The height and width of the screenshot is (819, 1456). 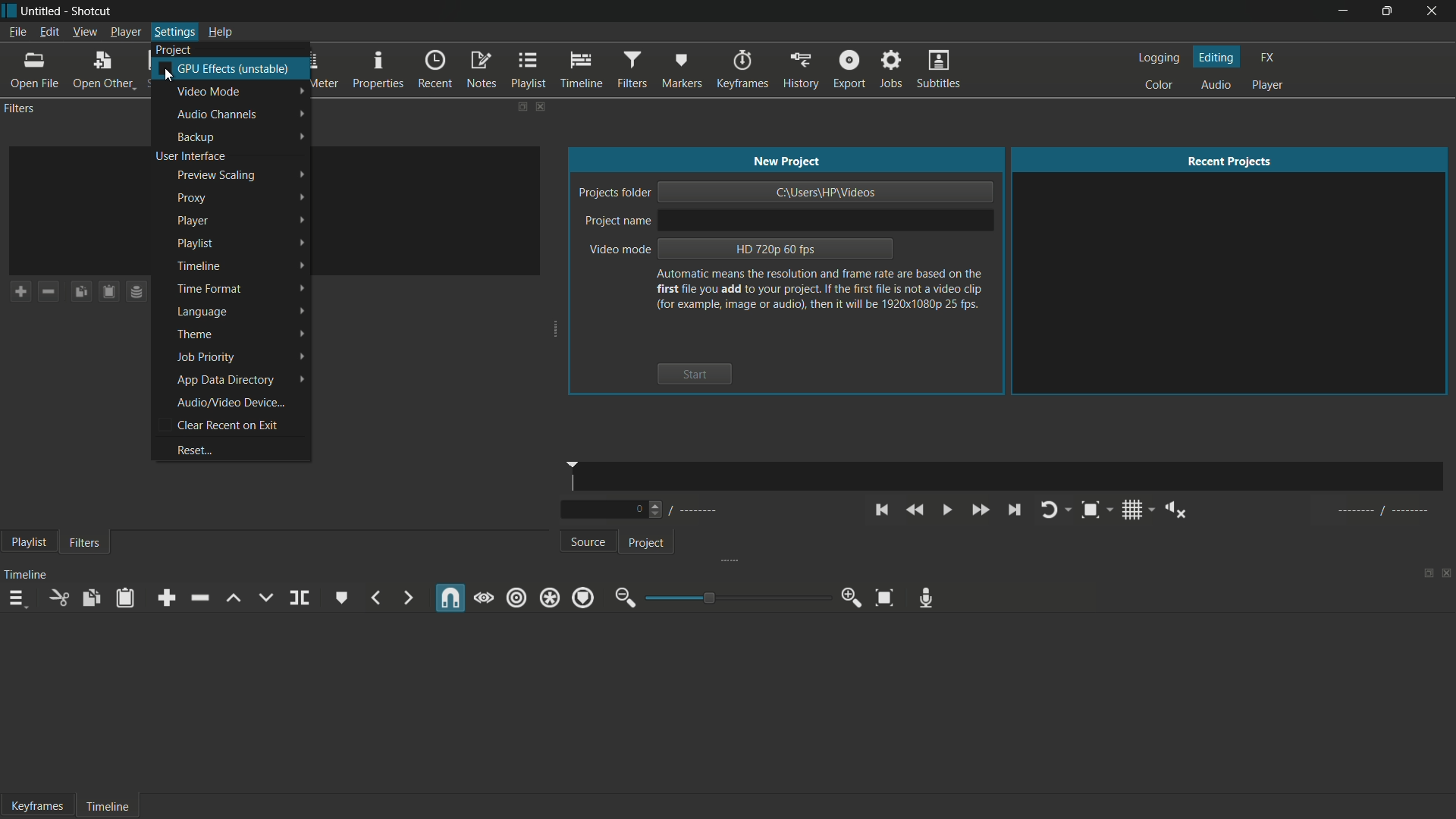 What do you see at coordinates (1343, 11) in the screenshot?
I see `minimize` at bounding box center [1343, 11].